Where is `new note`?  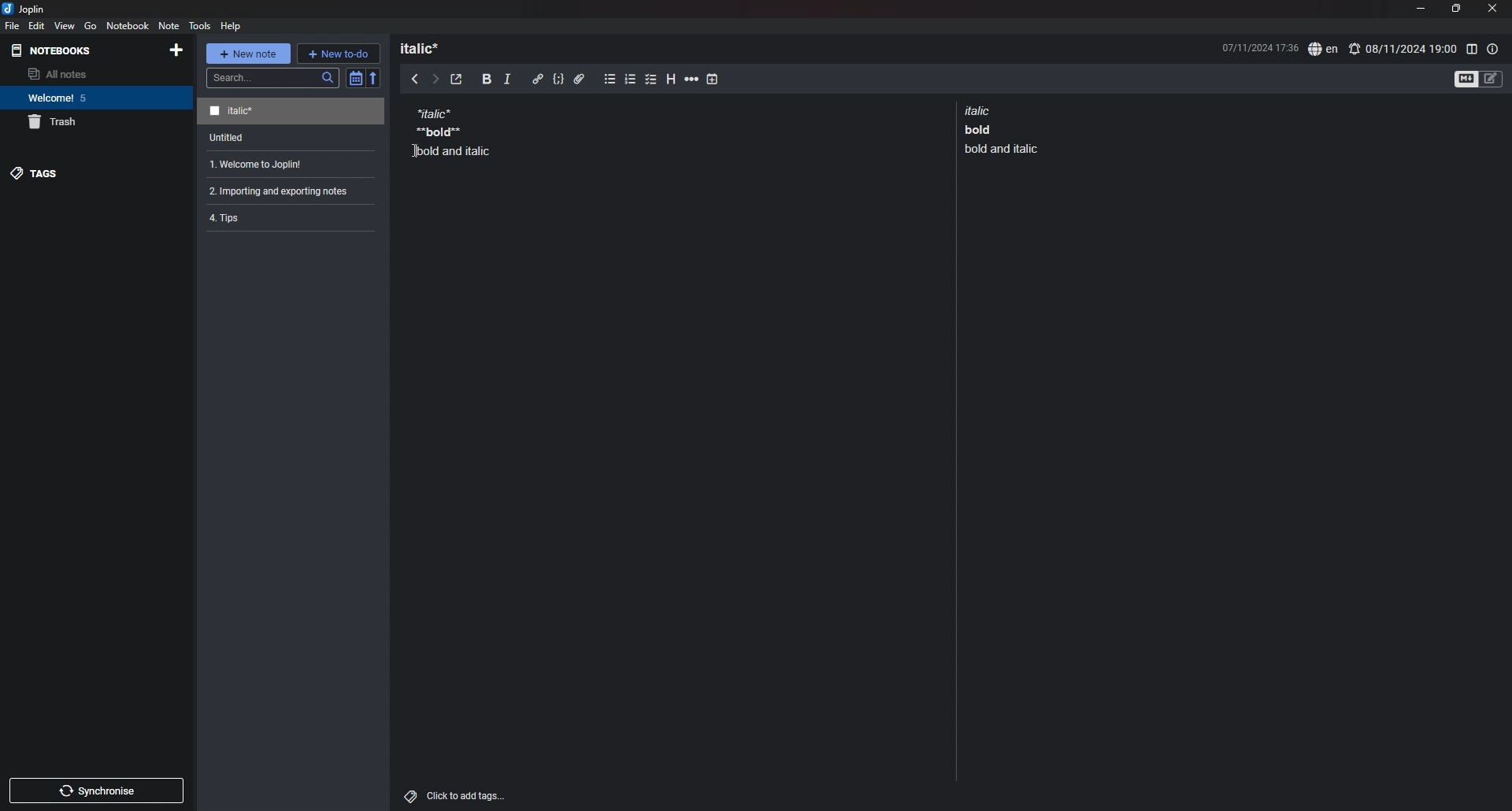 new note is located at coordinates (247, 54).